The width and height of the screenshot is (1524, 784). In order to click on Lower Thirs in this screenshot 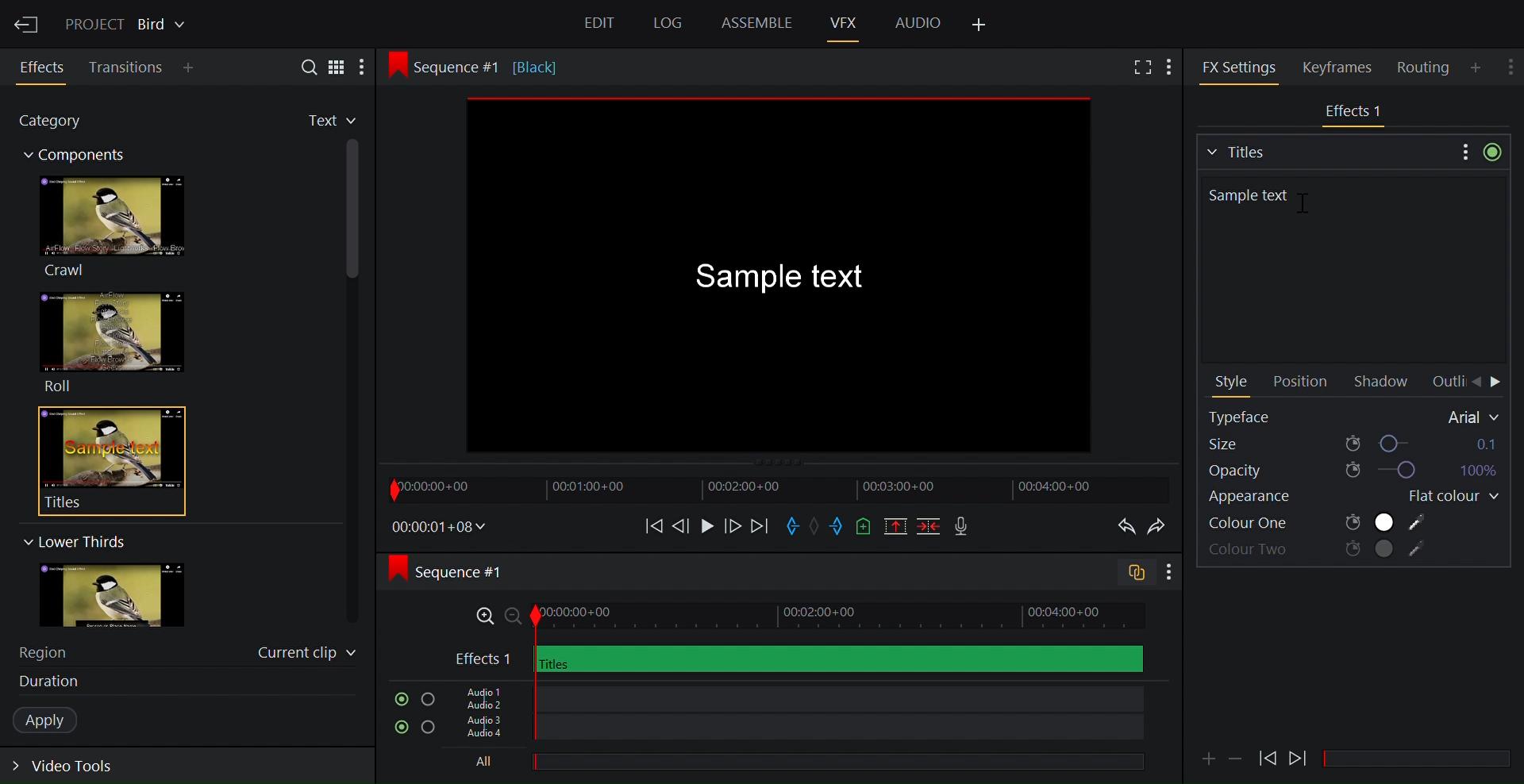, I will do `click(73, 541)`.